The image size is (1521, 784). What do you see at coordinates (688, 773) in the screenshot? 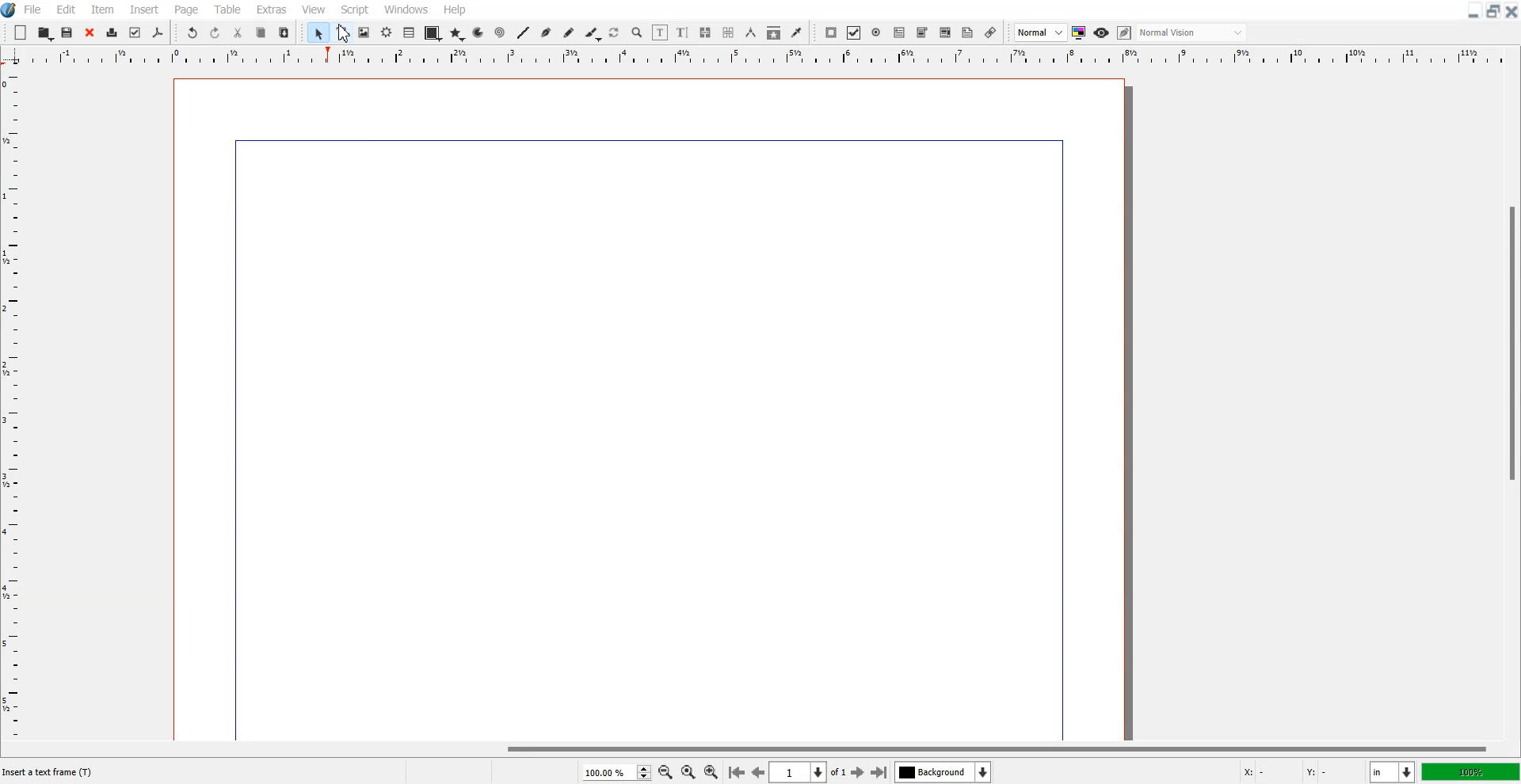
I see `Zoom to 100%` at bounding box center [688, 773].